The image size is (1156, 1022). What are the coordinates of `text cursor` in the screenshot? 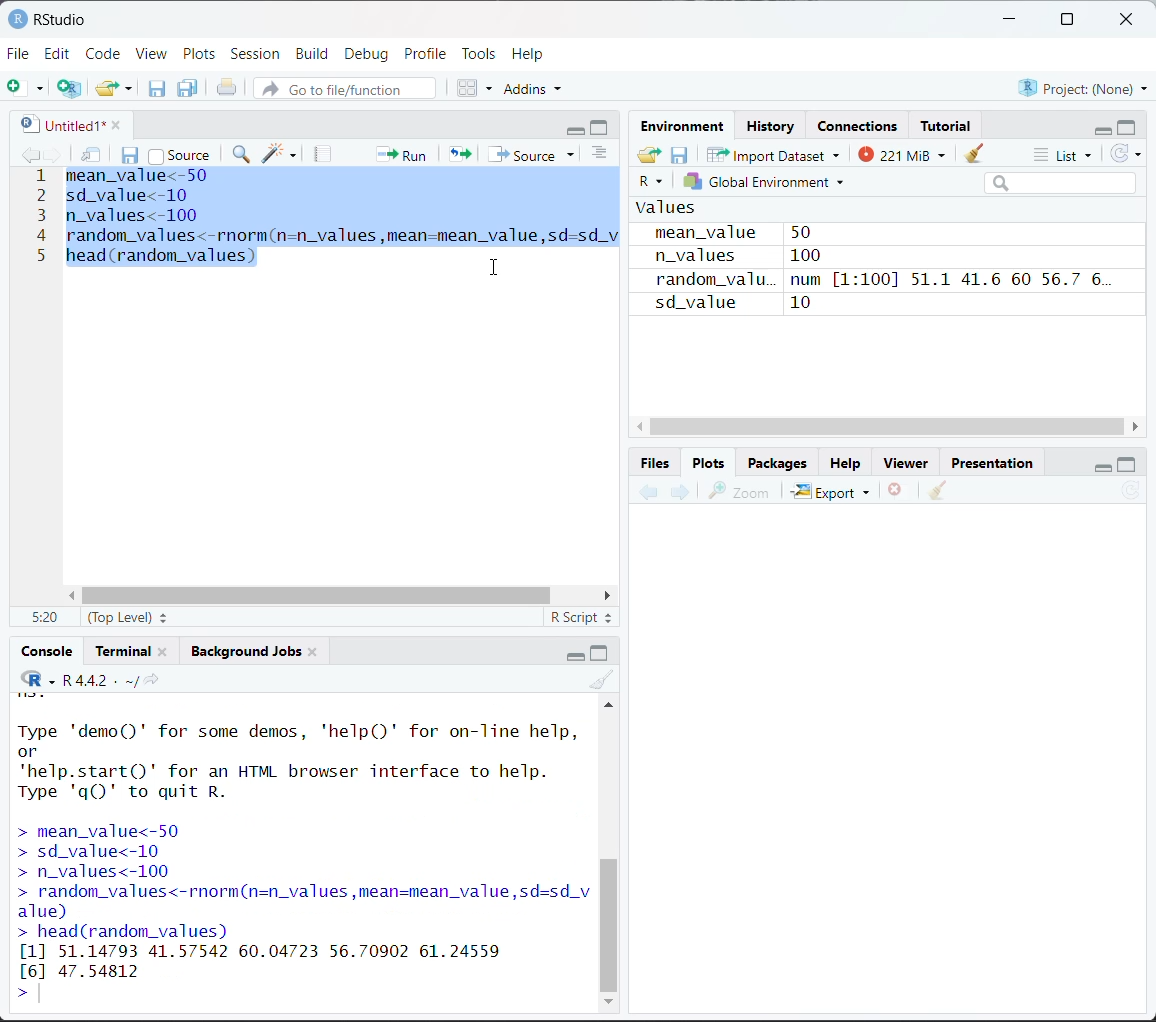 It's located at (40, 997).